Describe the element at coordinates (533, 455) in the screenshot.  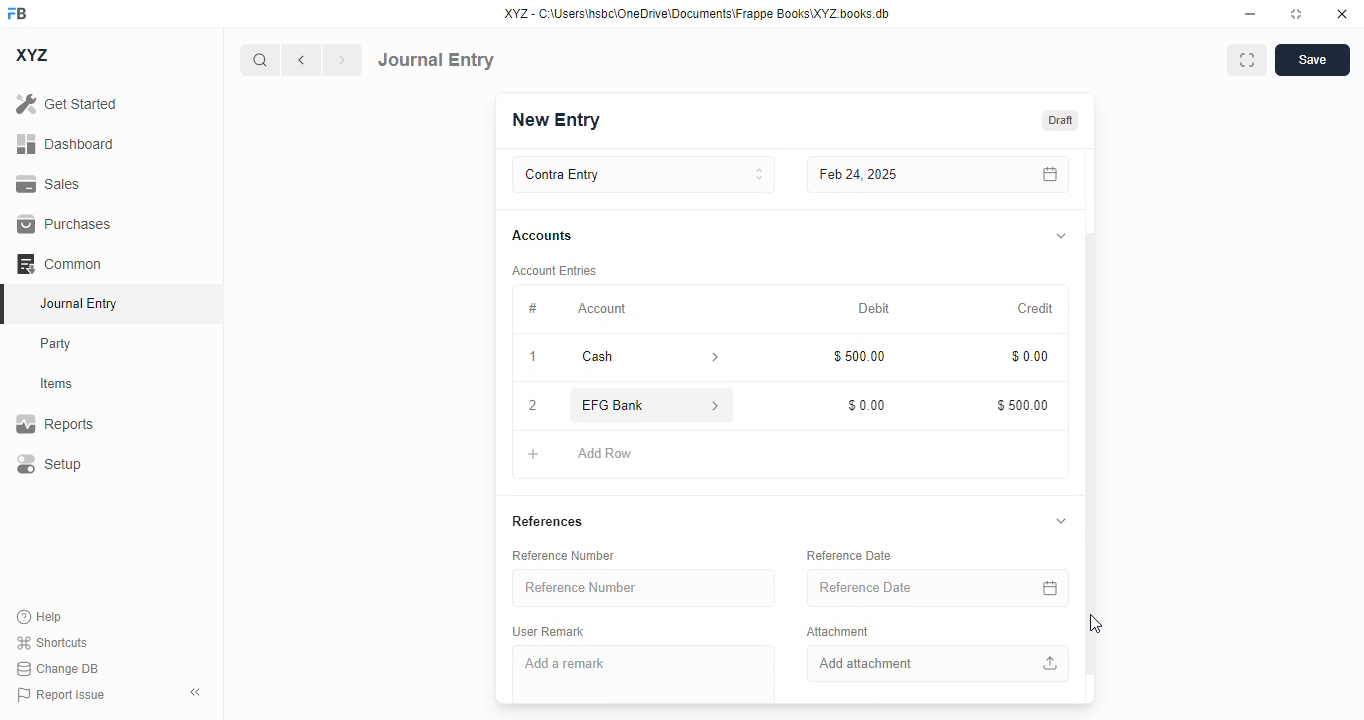
I see `add button` at that location.